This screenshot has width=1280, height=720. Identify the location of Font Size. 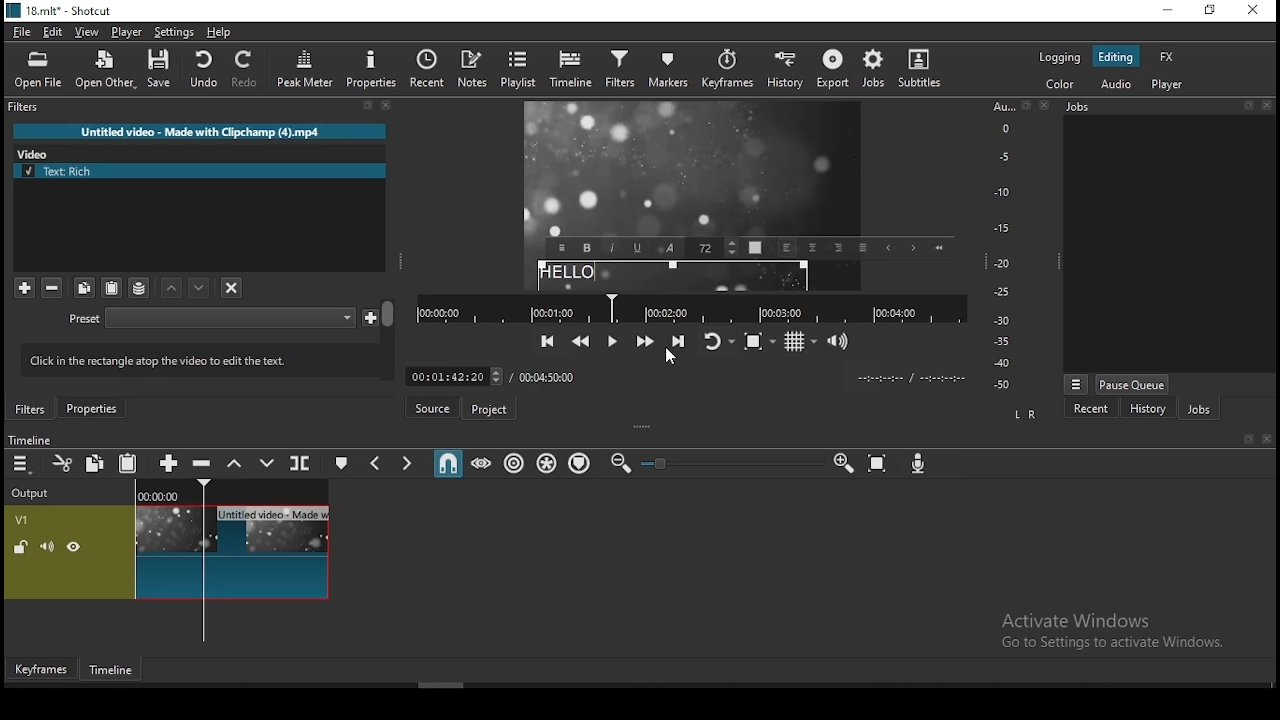
(714, 248).